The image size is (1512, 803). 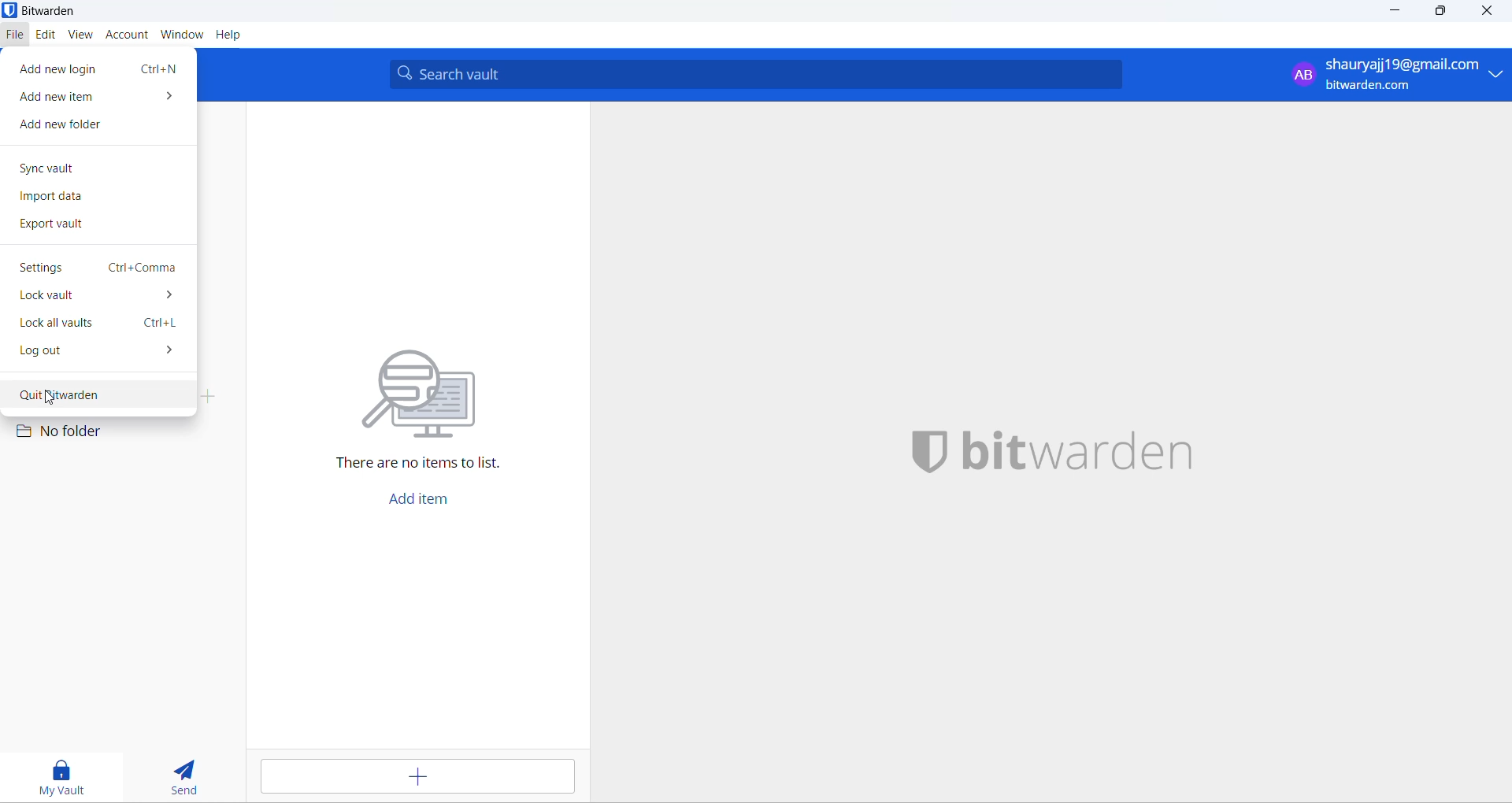 What do you see at coordinates (191, 776) in the screenshot?
I see `send` at bounding box center [191, 776].